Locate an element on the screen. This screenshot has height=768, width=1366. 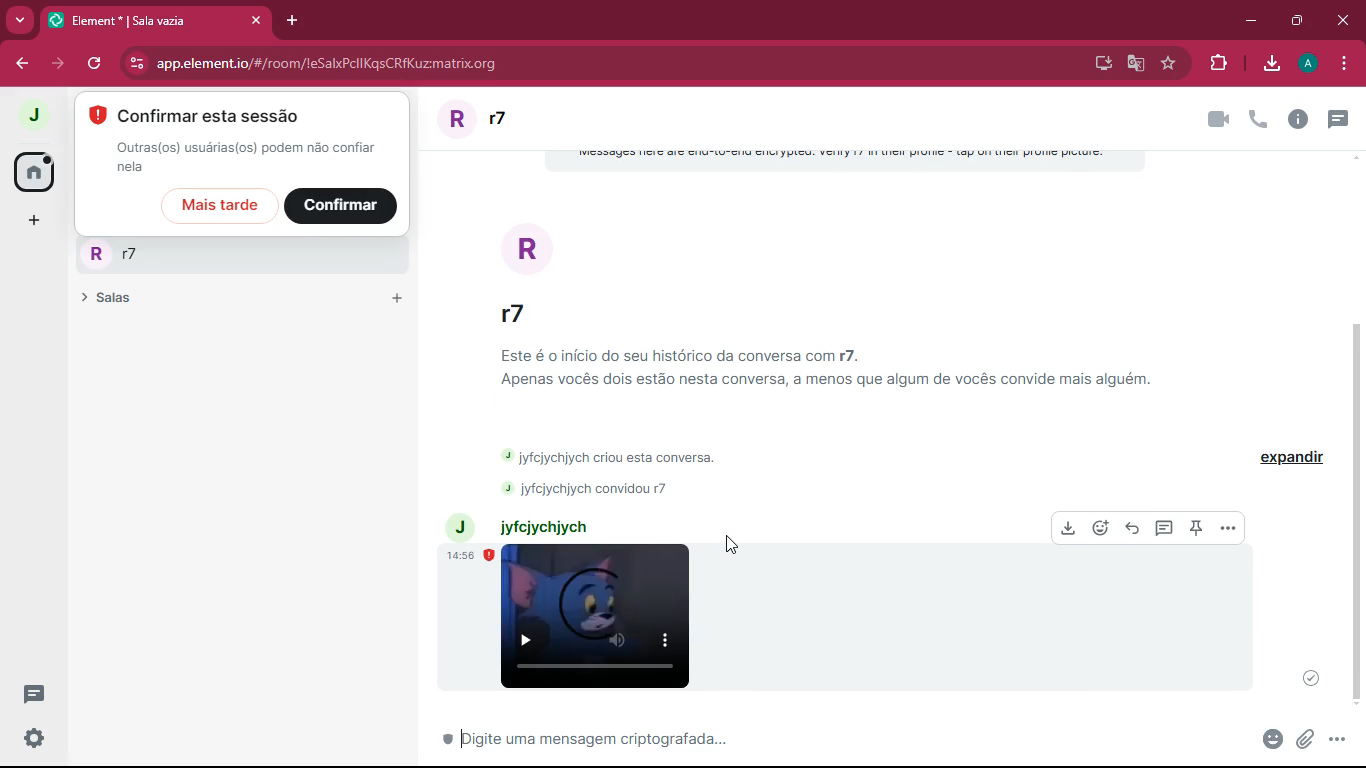
call is located at coordinates (1182, 119).